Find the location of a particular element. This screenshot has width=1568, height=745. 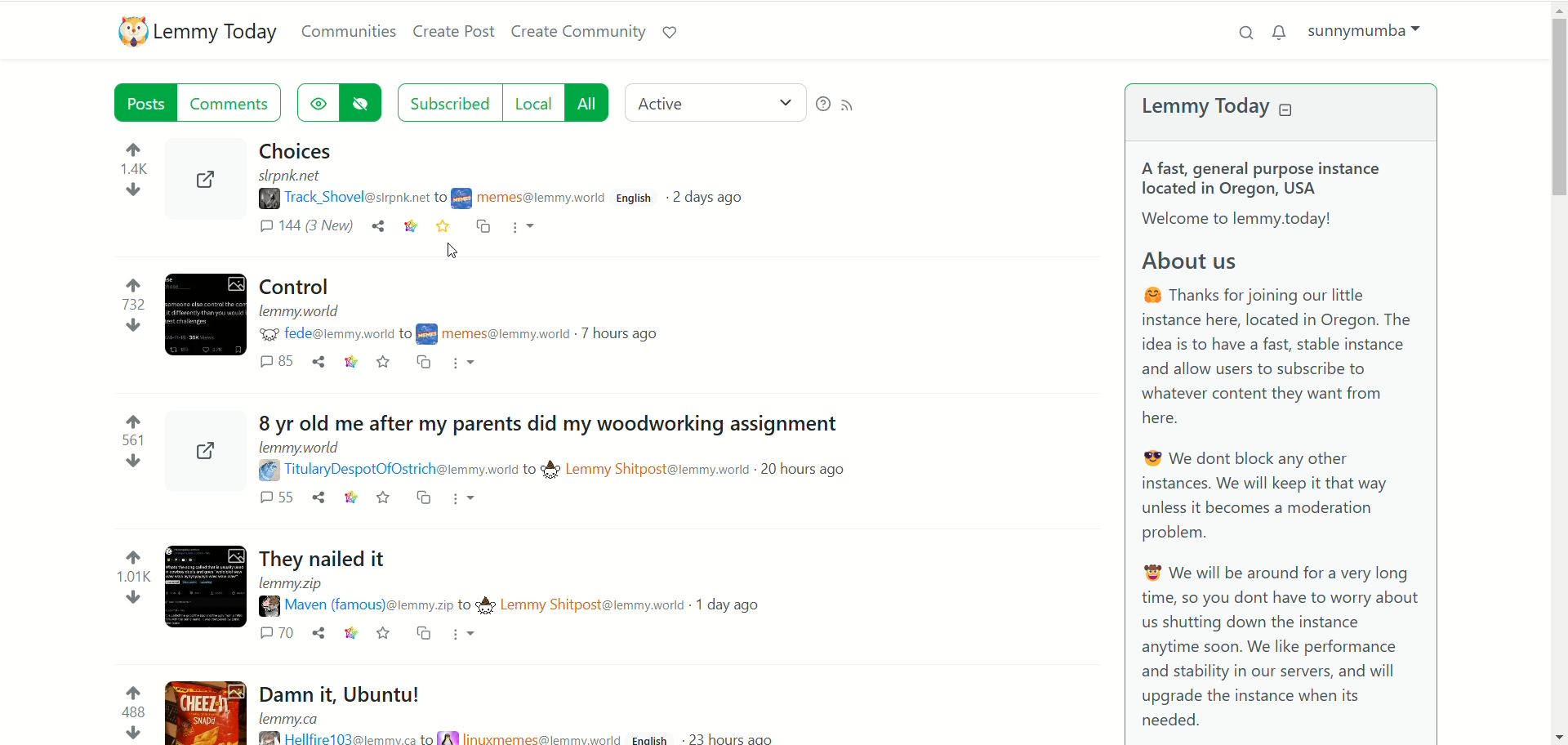

link is located at coordinates (350, 364).